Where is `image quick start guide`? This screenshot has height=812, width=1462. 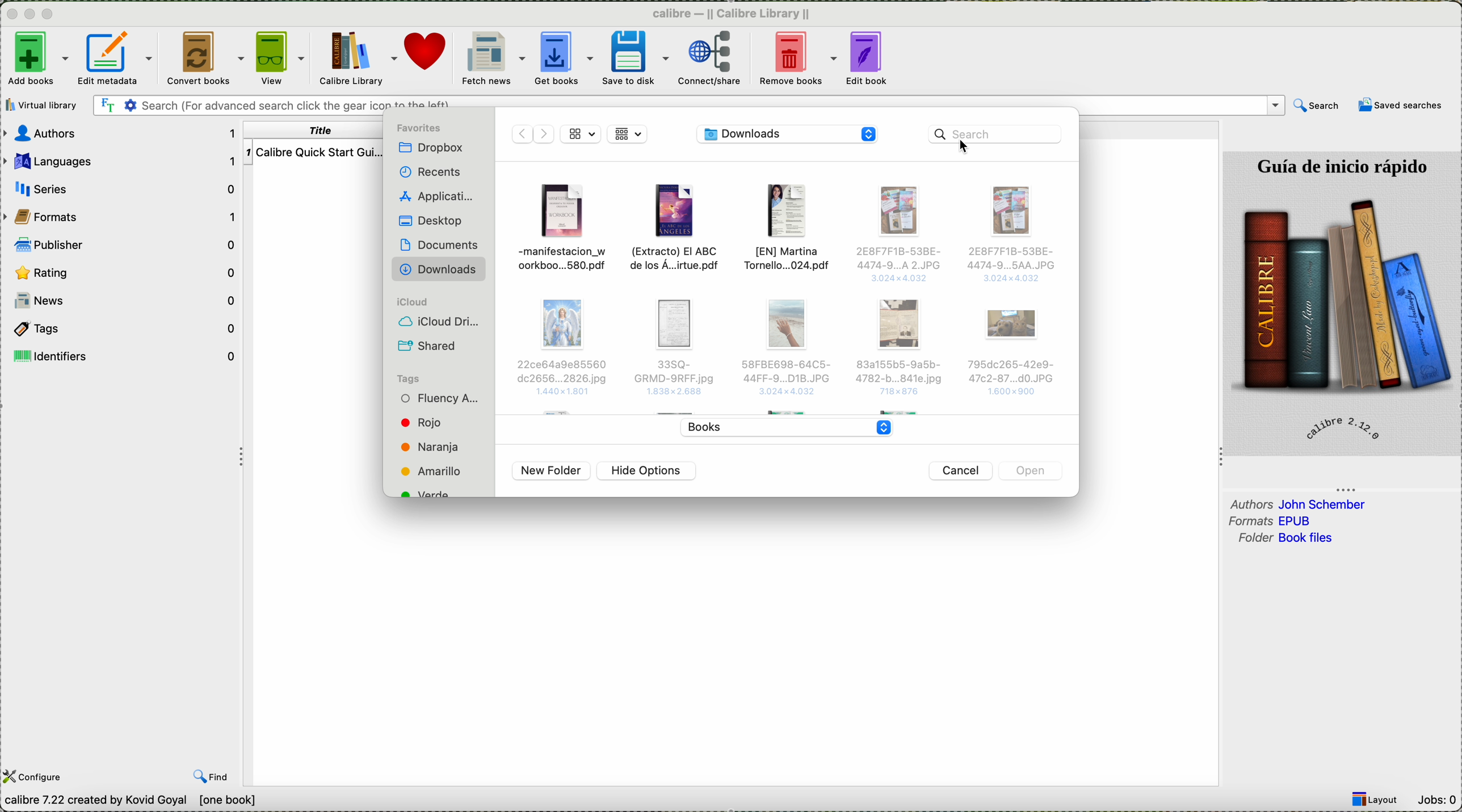 image quick start guide is located at coordinates (1343, 303).